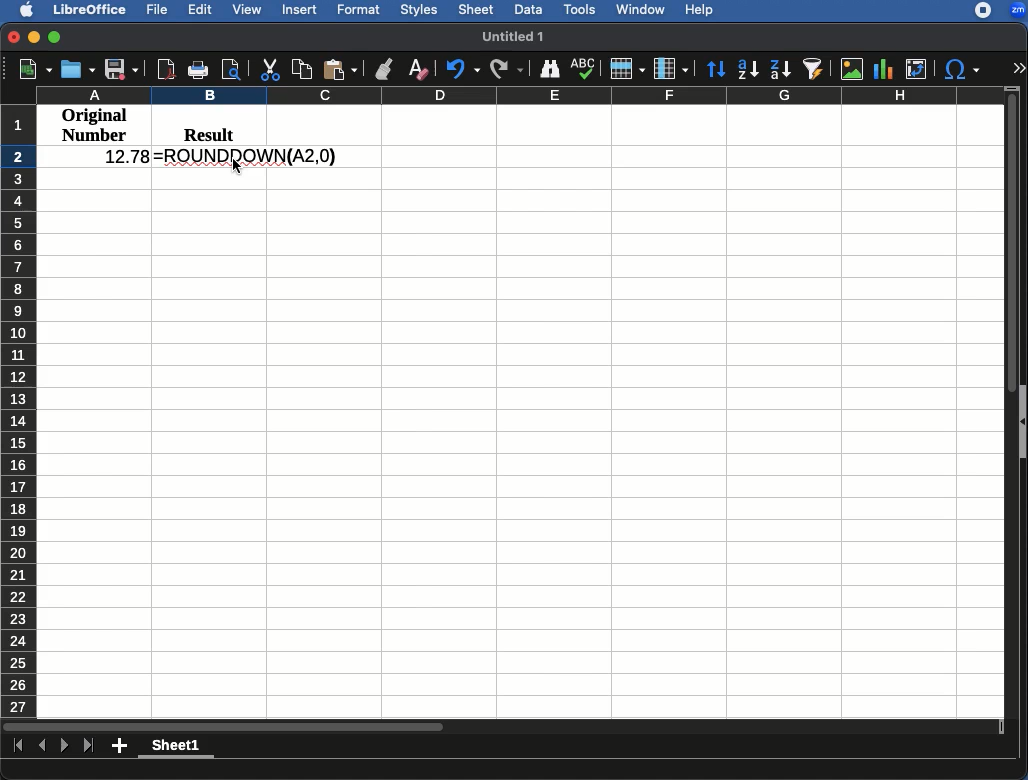 The height and width of the screenshot is (780, 1028). What do you see at coordinates (301, 68) in the screenshot?
I see `Copy` at bounding box center [301, 68].